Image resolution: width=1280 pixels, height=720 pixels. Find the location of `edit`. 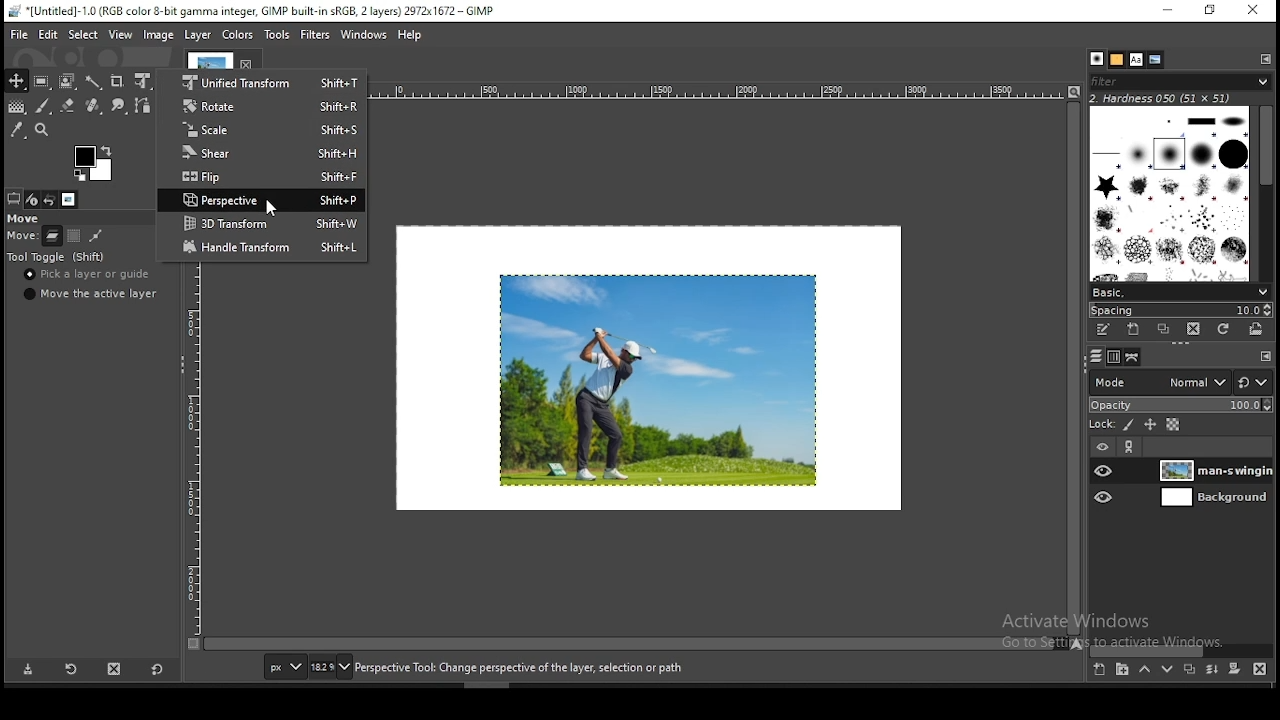

edit is located at coordinates (48, 34).